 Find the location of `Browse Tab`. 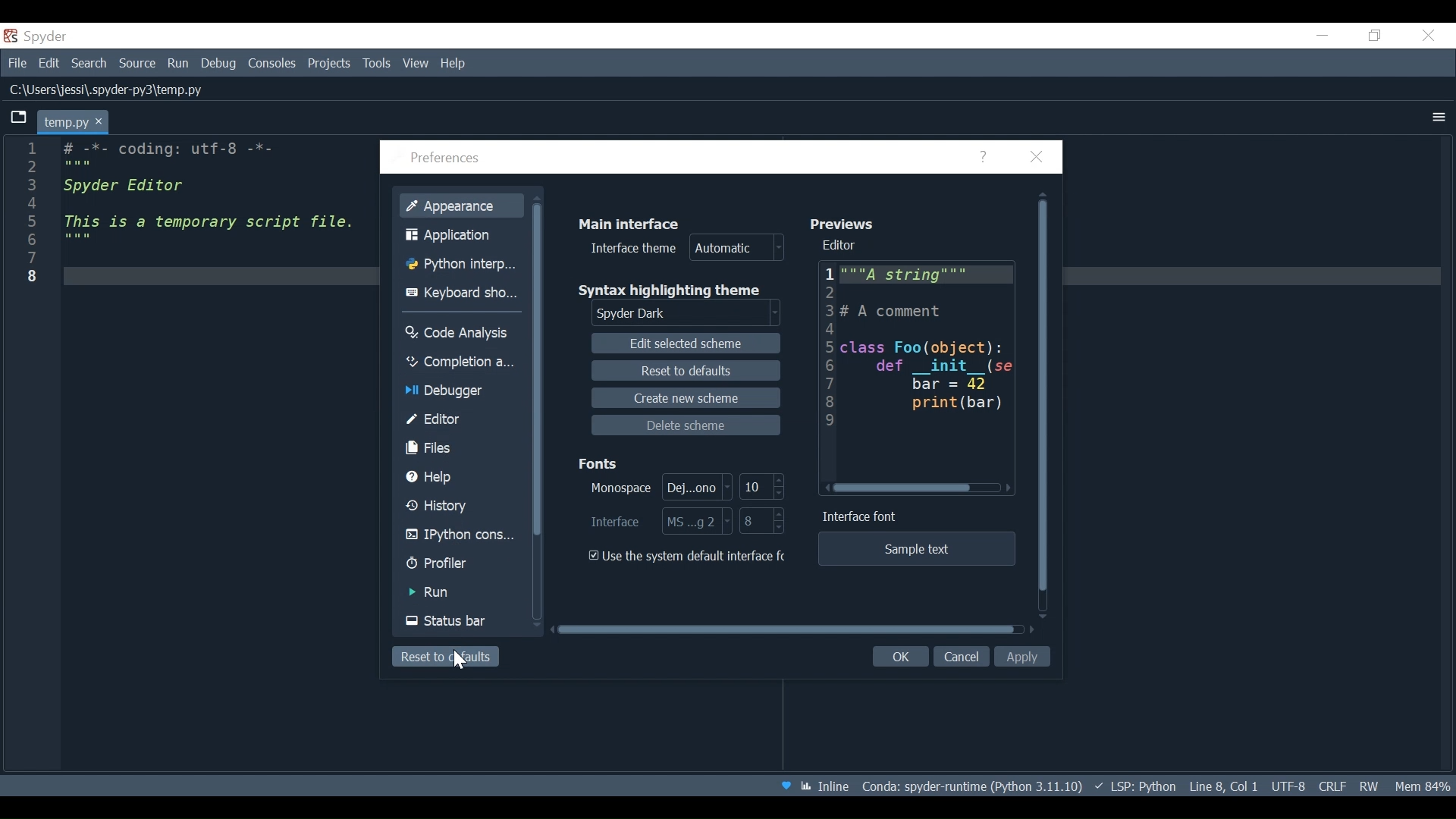

Browse Tab is located at coordinates (19, 118).